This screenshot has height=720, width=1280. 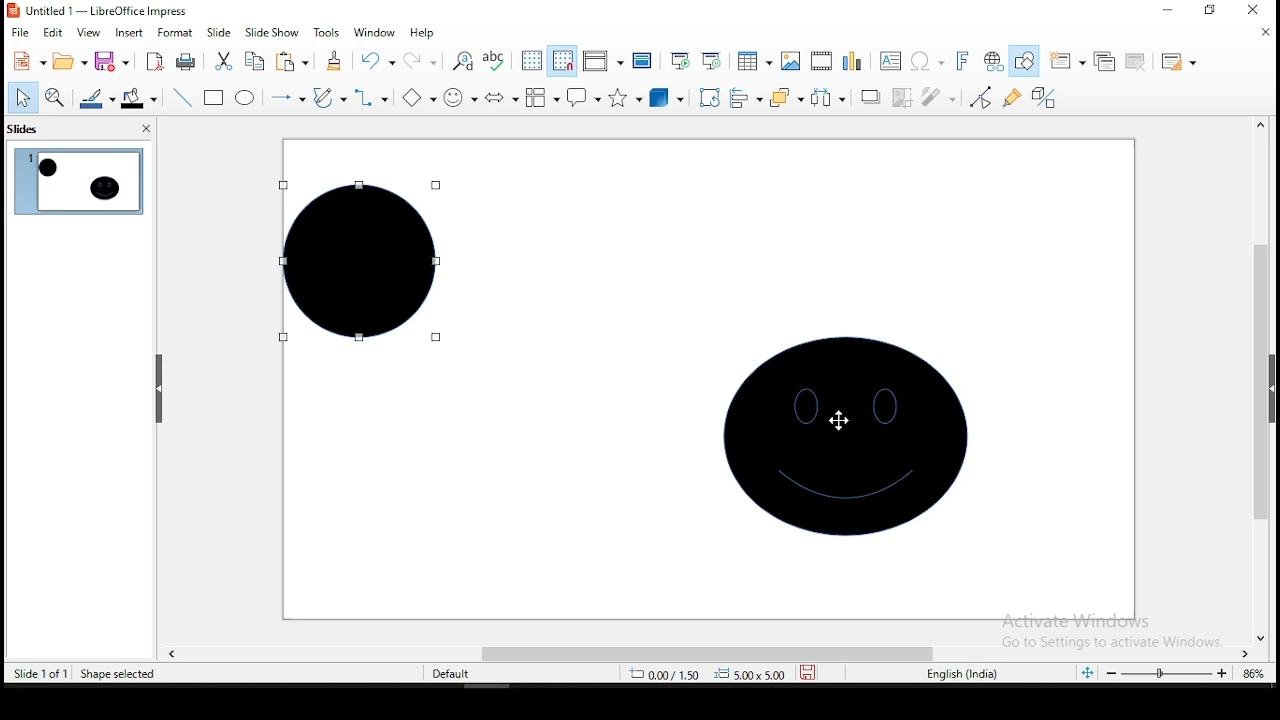 I want to click on fit slide to current window, so click(x=1086, y=671).